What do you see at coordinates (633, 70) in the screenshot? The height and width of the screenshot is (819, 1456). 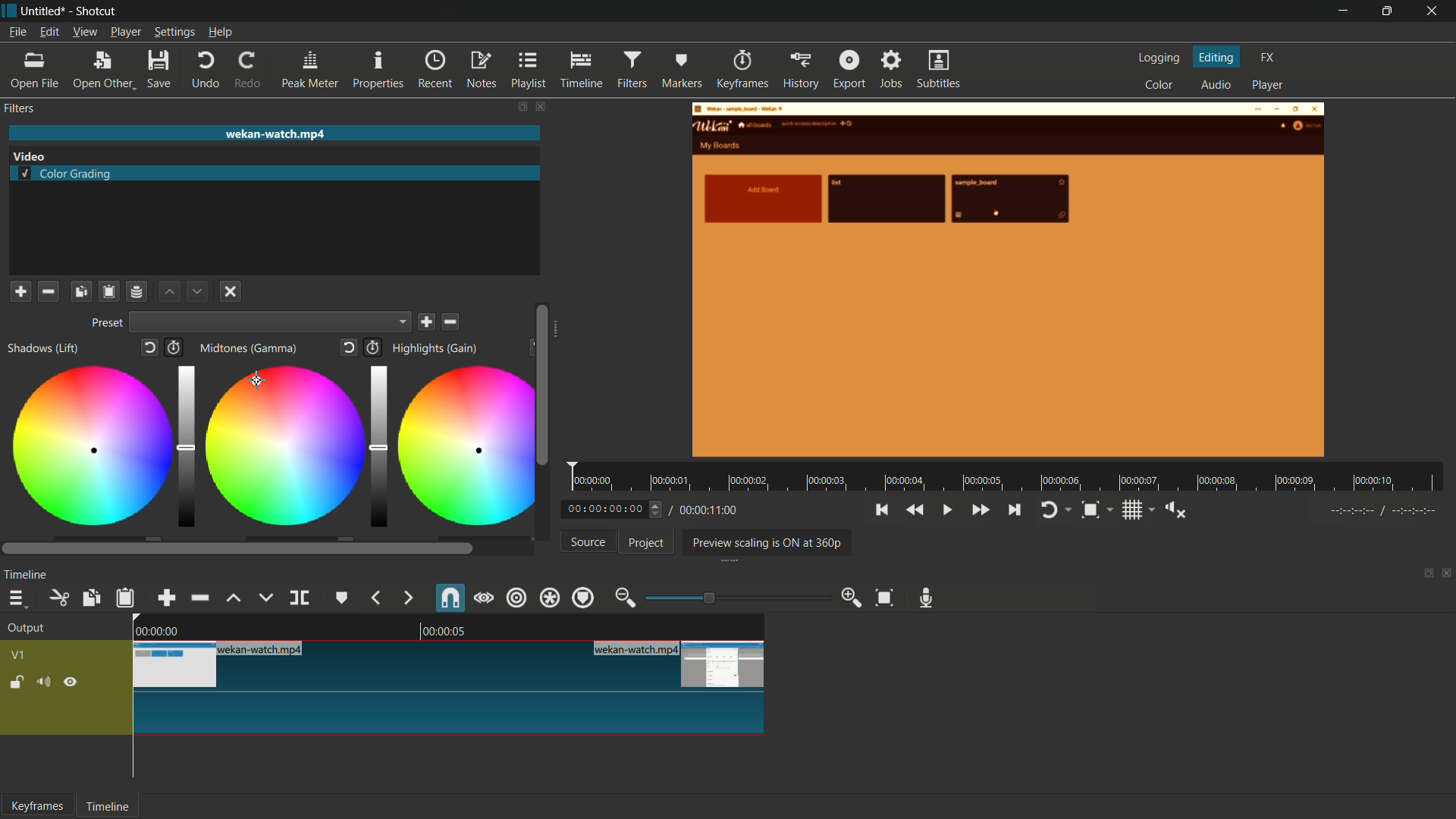 I see `filters` at bounding box center [633, 70].